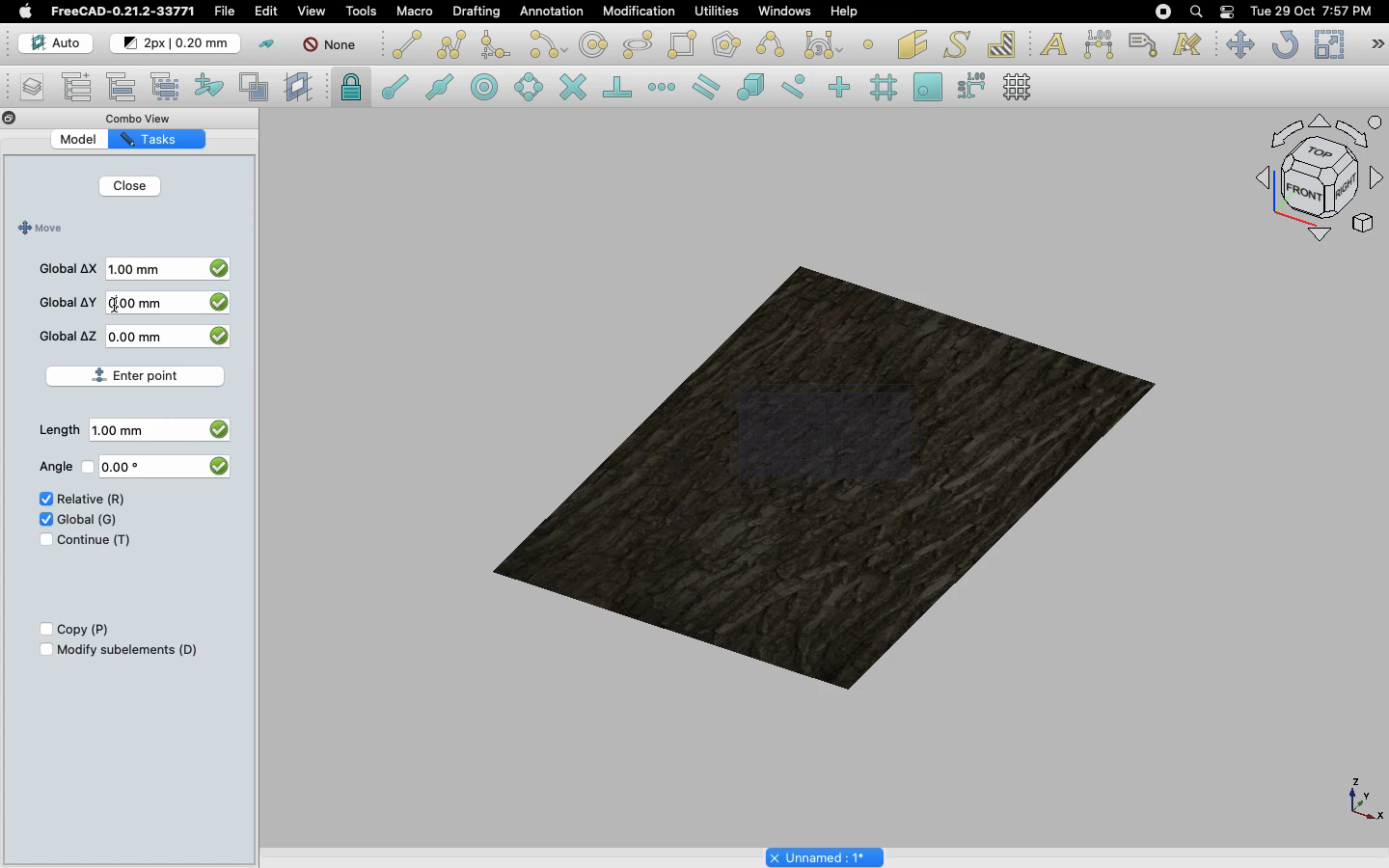 This screenshot has height=868, width=1389. I want to click on Snap ortho, so click(842, 89).